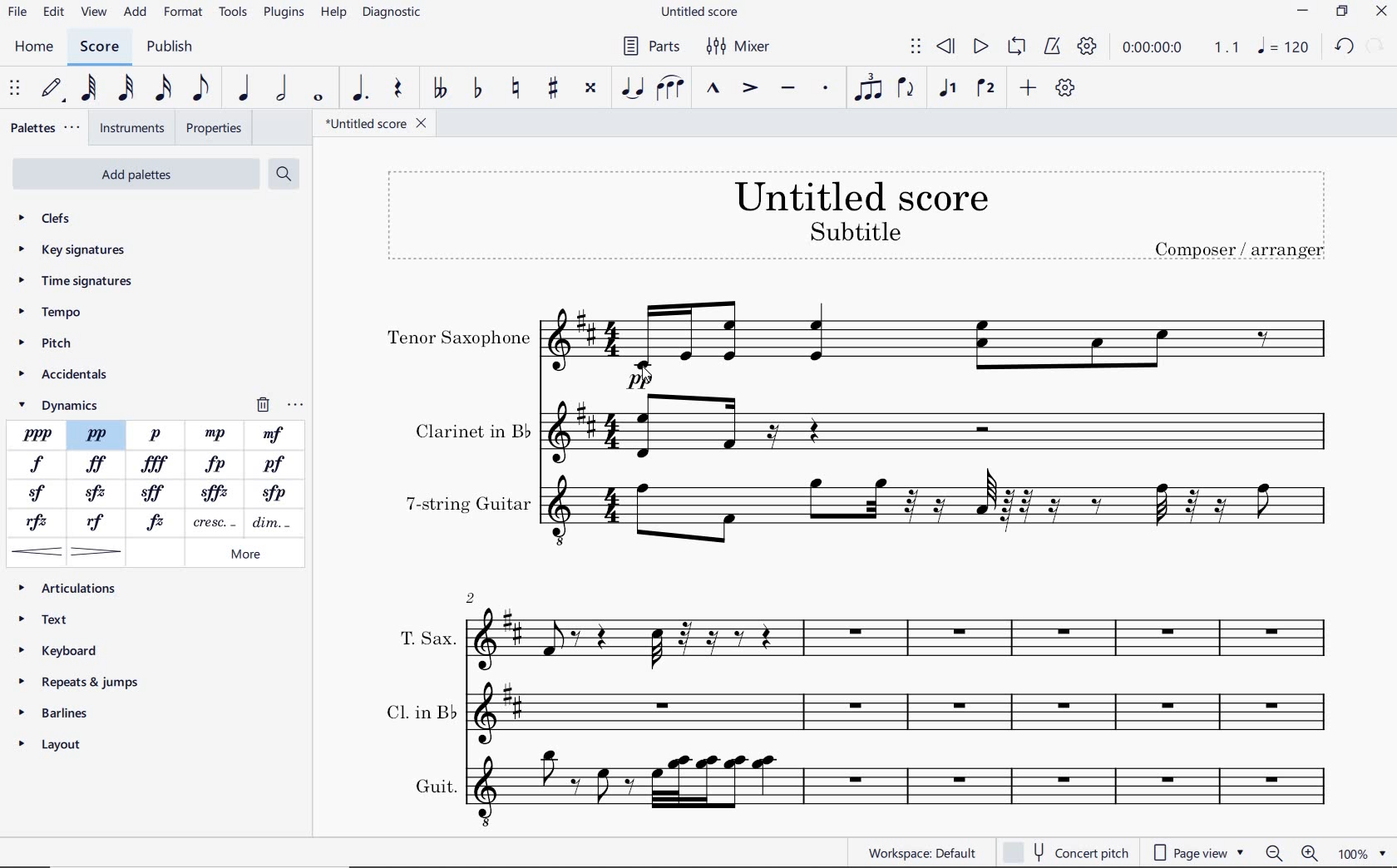  What do you see at coordinates (274, 435) in the screenshot?
I see `MF (MEZZO-FORTE)` at bounding box center [274, 435].